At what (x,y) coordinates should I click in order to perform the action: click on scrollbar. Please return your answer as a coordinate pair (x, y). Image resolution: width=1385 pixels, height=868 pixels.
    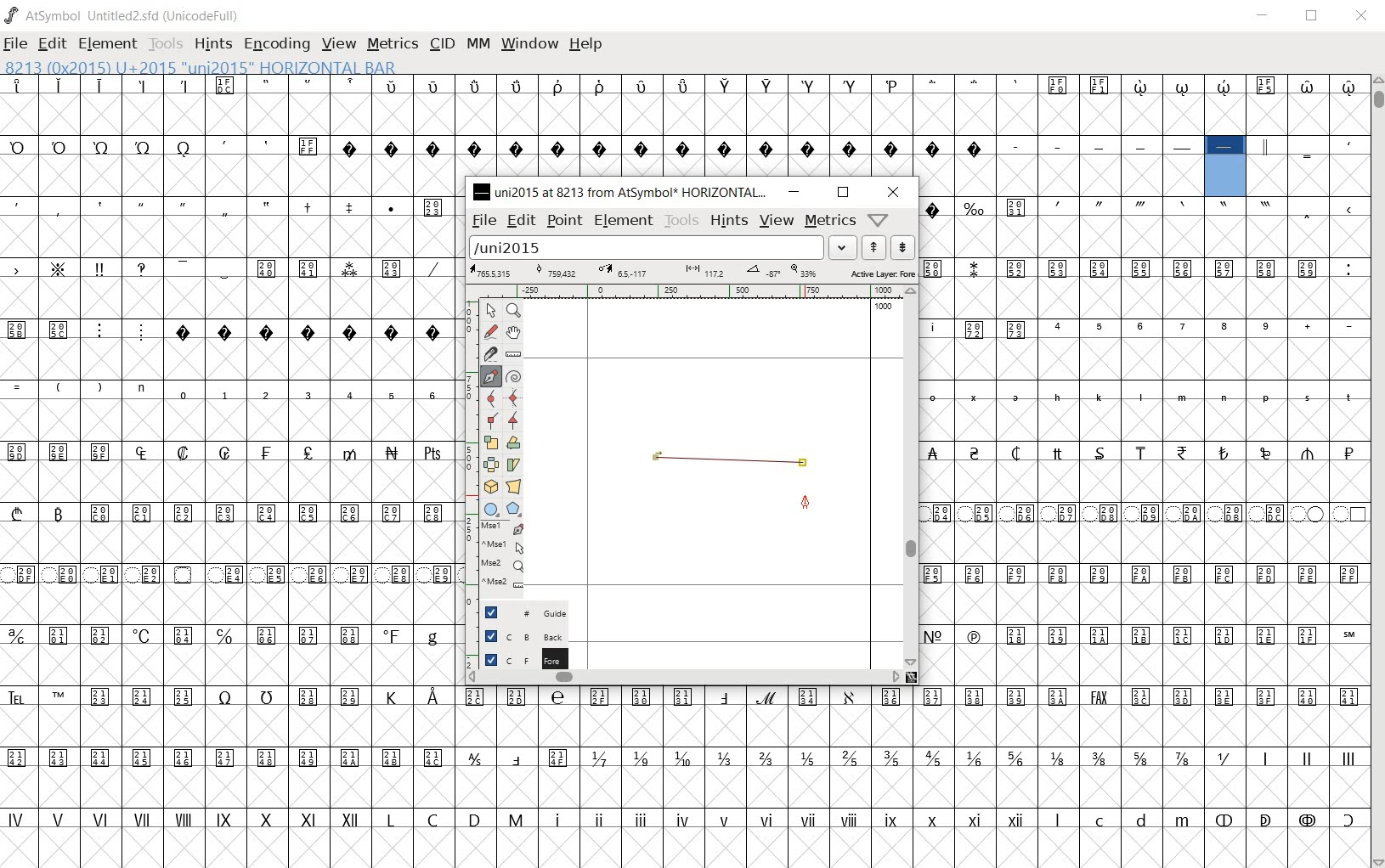
    Looking at the image, I should click on (914, 478).